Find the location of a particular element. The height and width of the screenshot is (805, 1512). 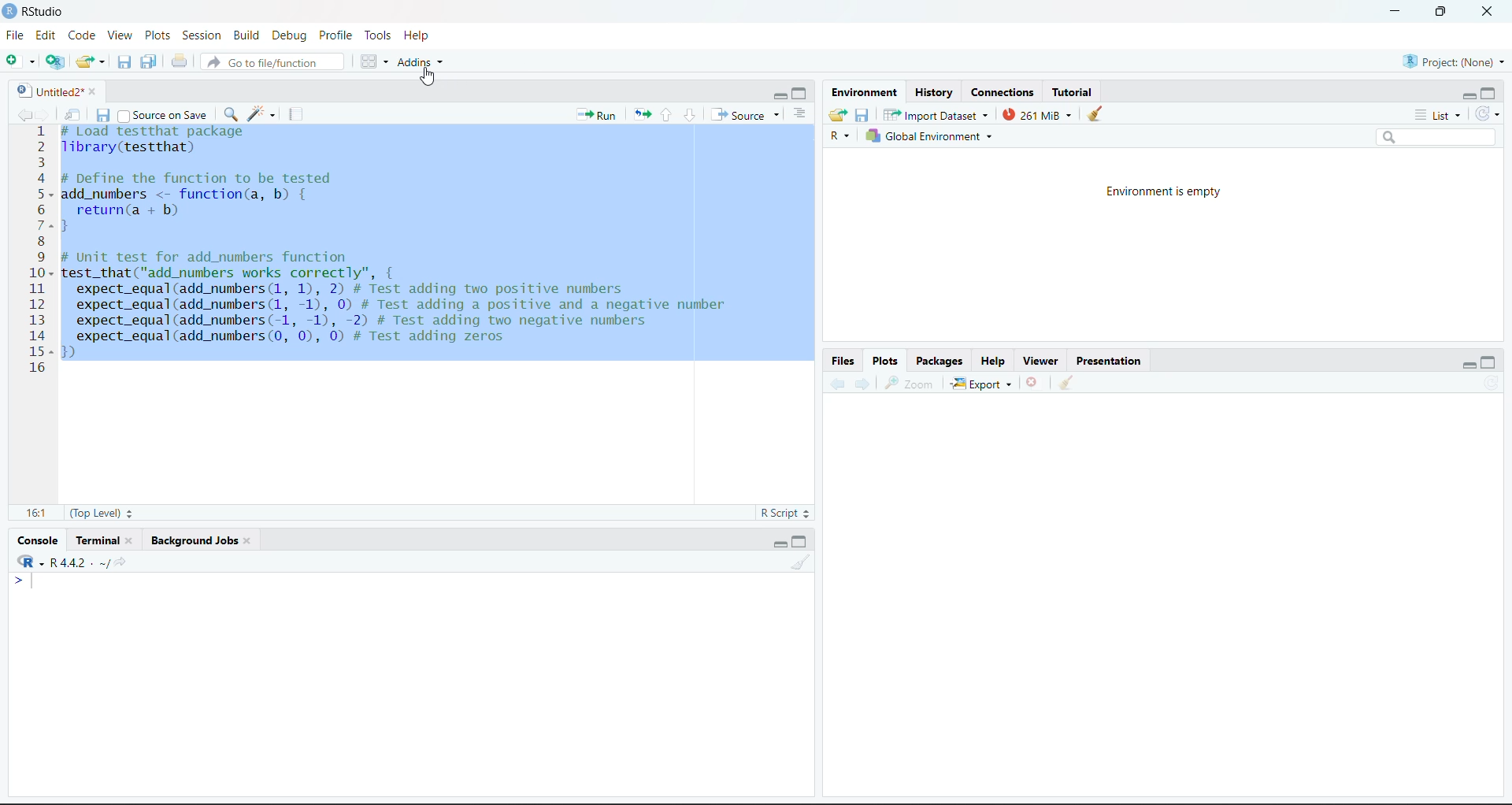

View is located at coordinates (119, 35).